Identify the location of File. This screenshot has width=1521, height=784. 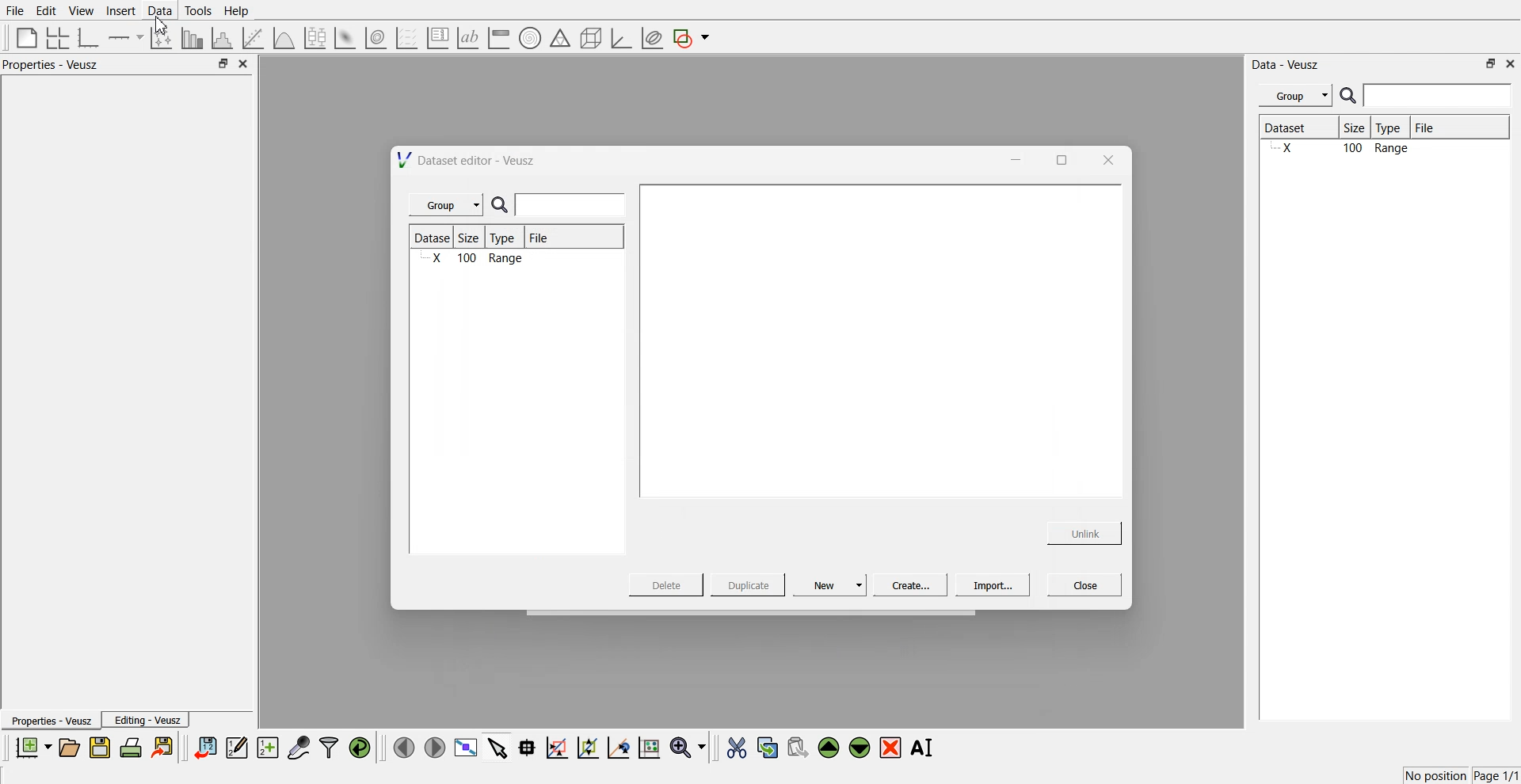
(1439, 127).